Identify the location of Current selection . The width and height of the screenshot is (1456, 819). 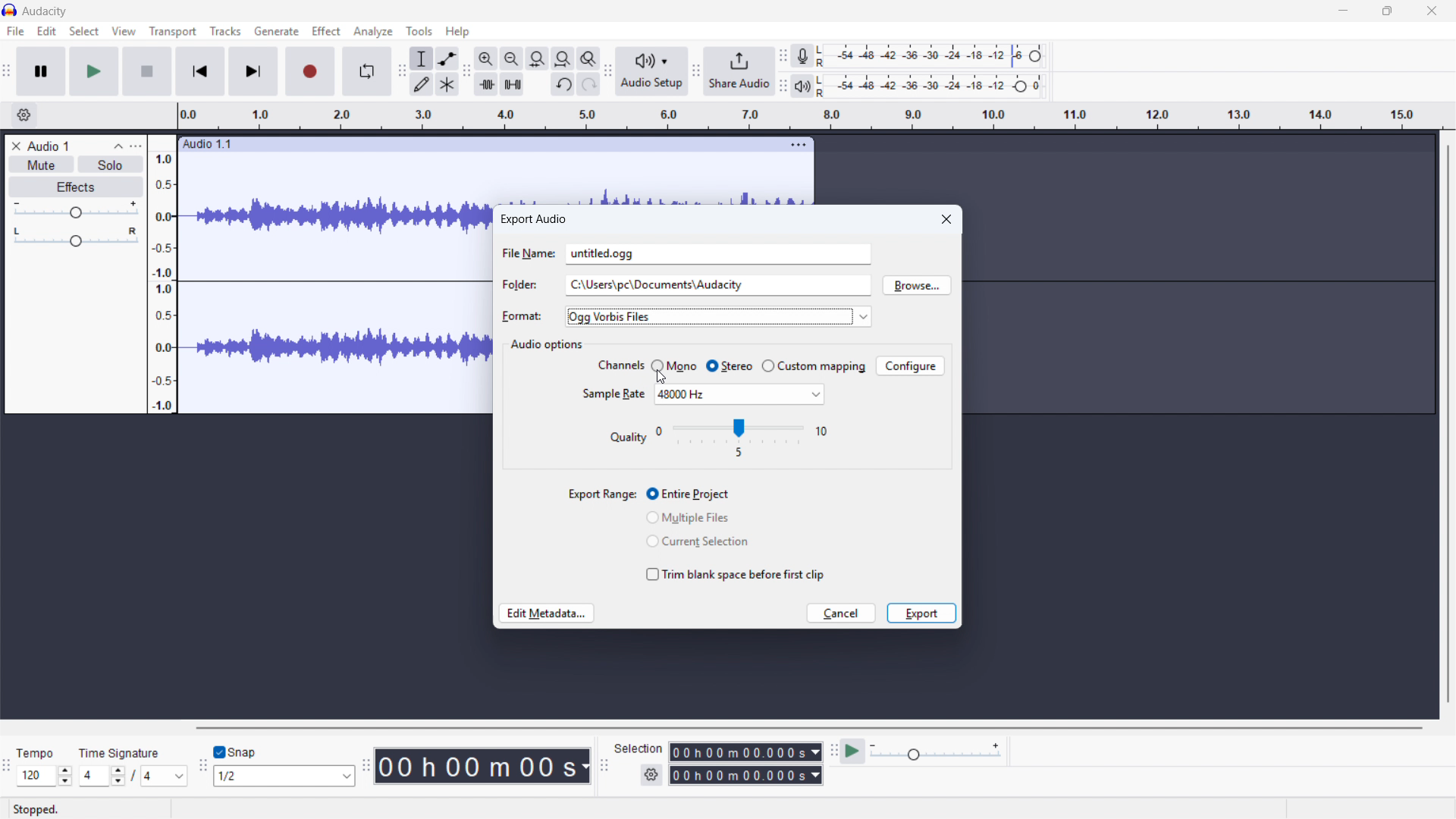
(694, 543).